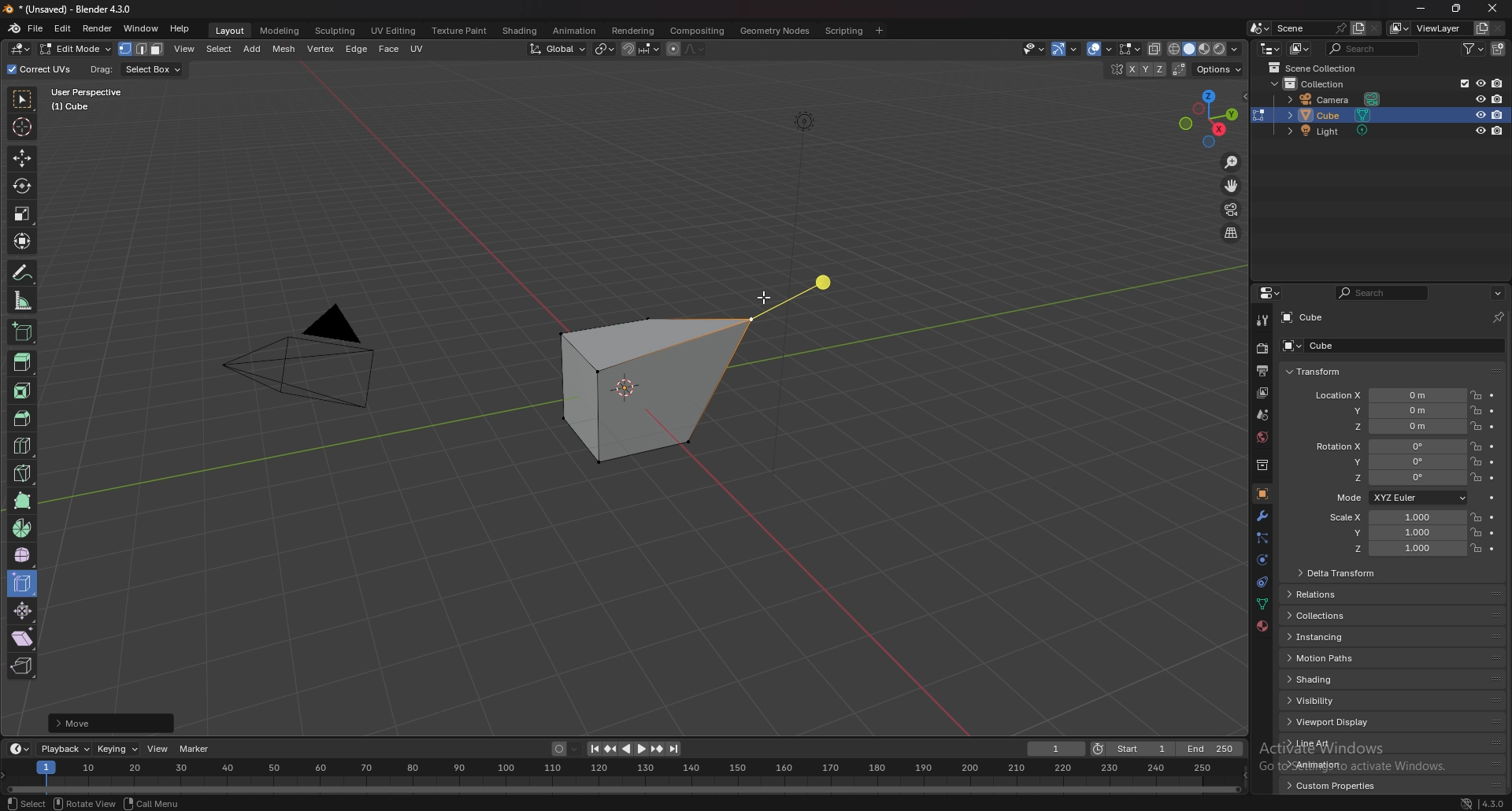  I want to click on , so click(1032, 49).